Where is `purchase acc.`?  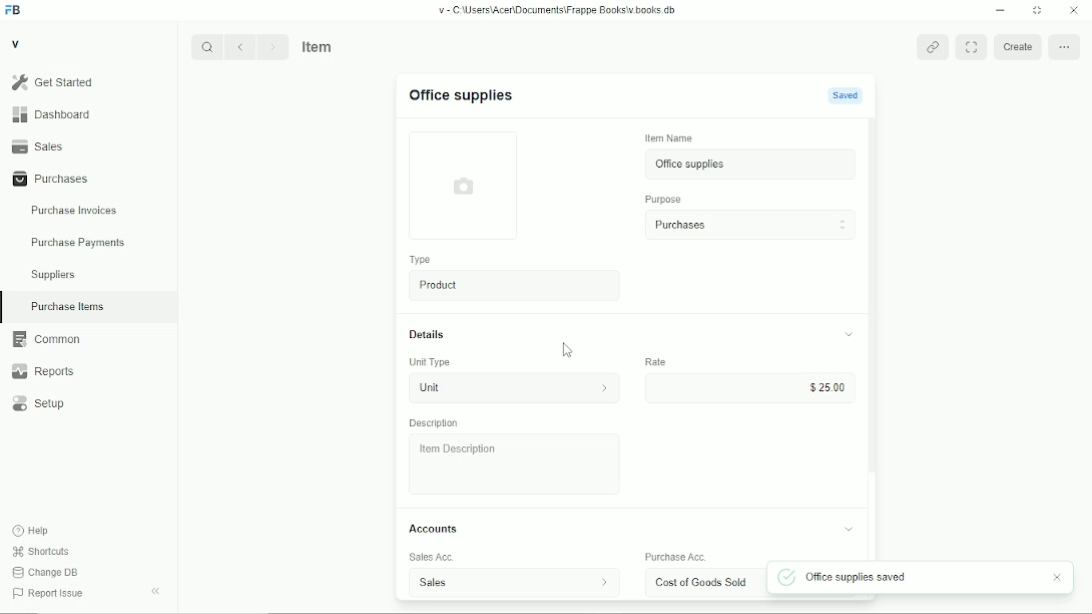 purchase acc. is located at coordinates (676, 557).